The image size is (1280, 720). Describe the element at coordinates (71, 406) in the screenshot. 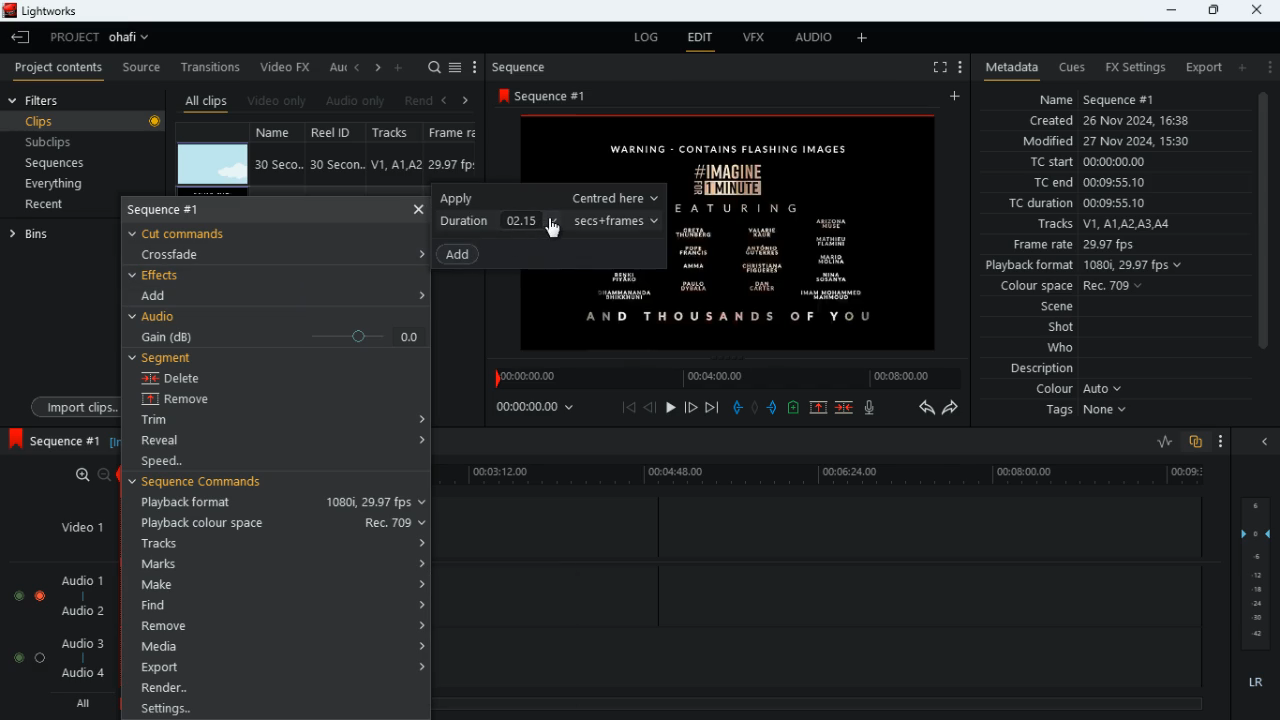

I see `import clips` at that location.